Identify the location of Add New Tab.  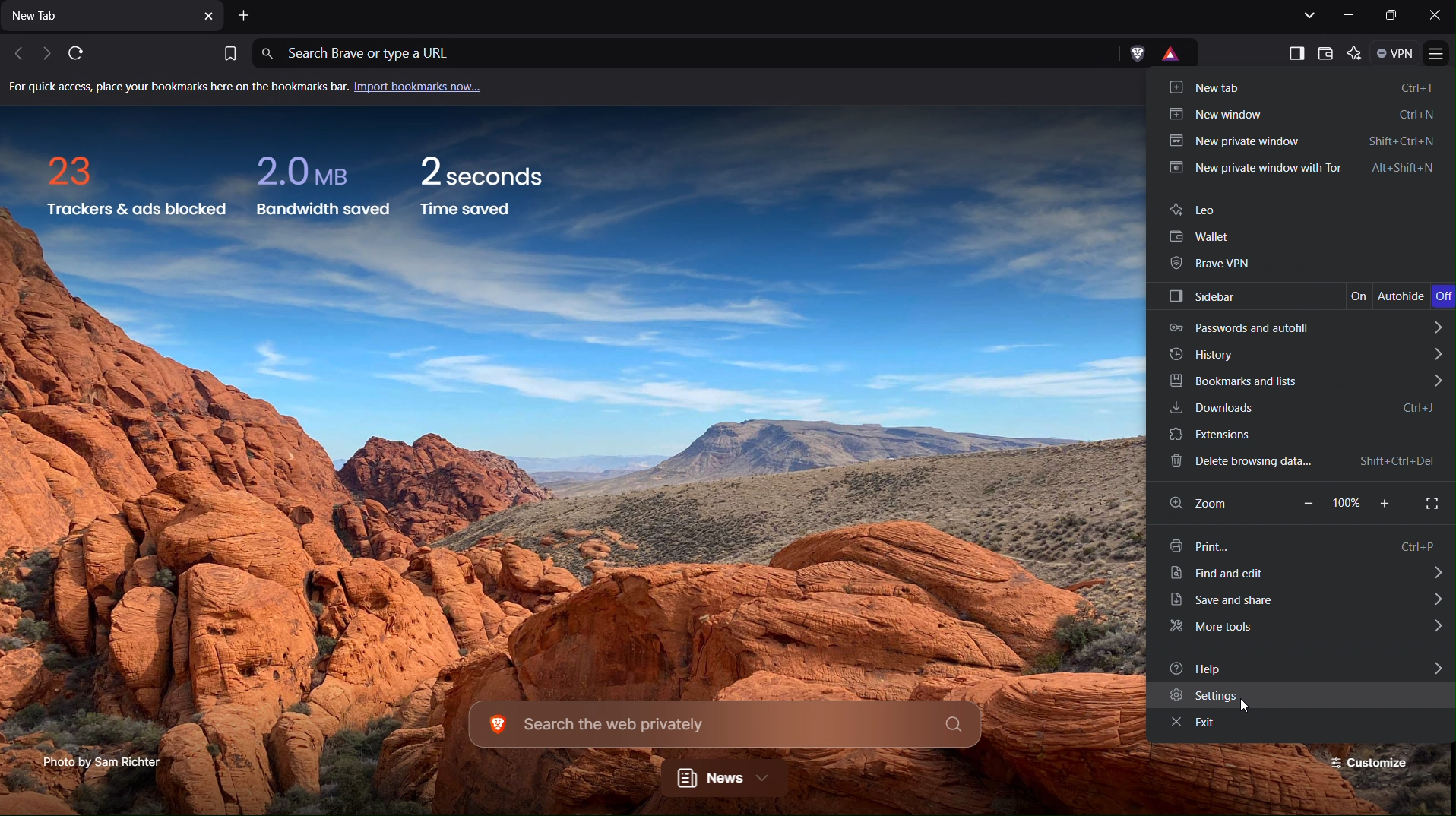
(246, 14).